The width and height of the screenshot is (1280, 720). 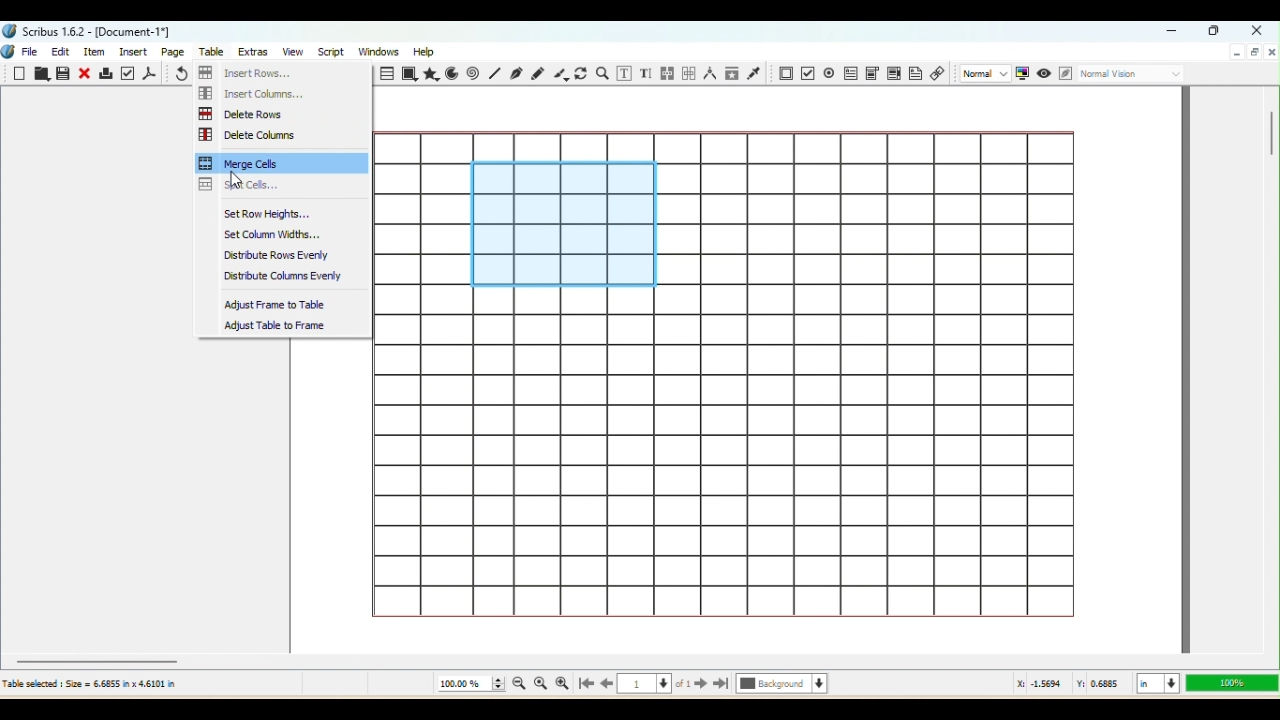 I want to click on Horizontal scroll bar, so click(x=639, y=660).